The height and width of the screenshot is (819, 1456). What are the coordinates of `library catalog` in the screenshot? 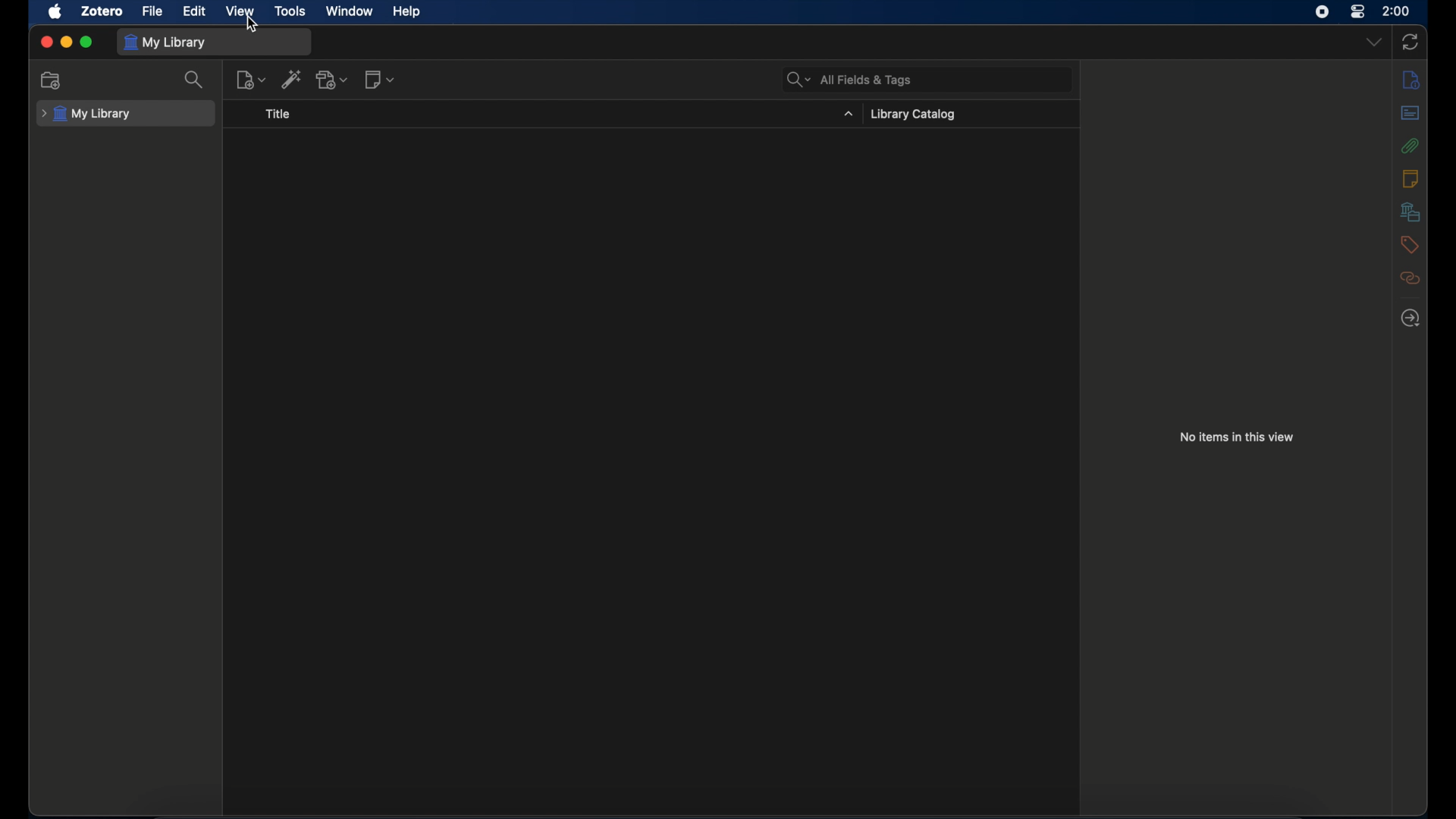 It's located at (913, 115).